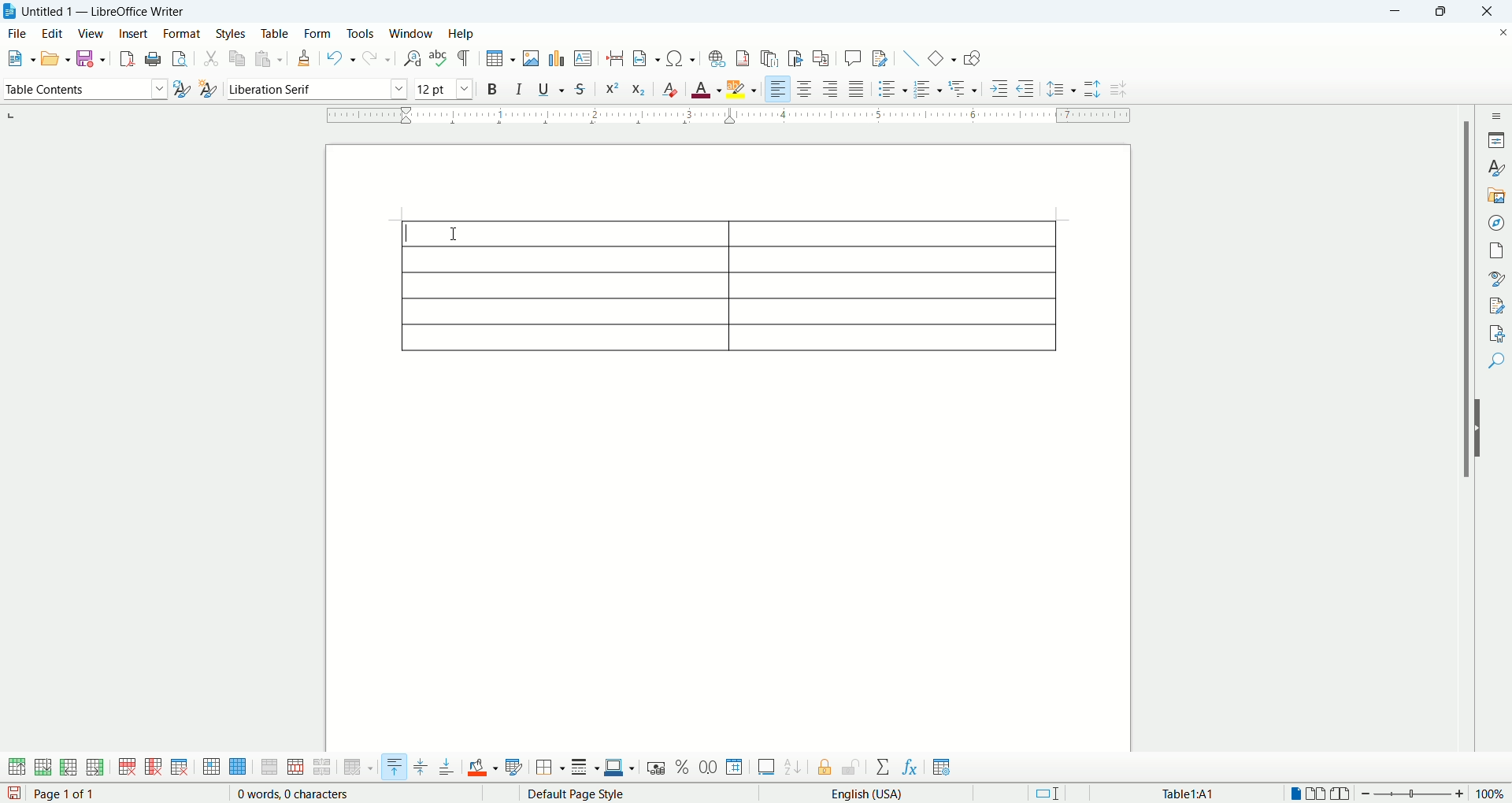 The image size is (1512, 803). What do you see at coordinates (856, 57) in the screenshot?
I see `insert comment` at bounding box center [856, 57].